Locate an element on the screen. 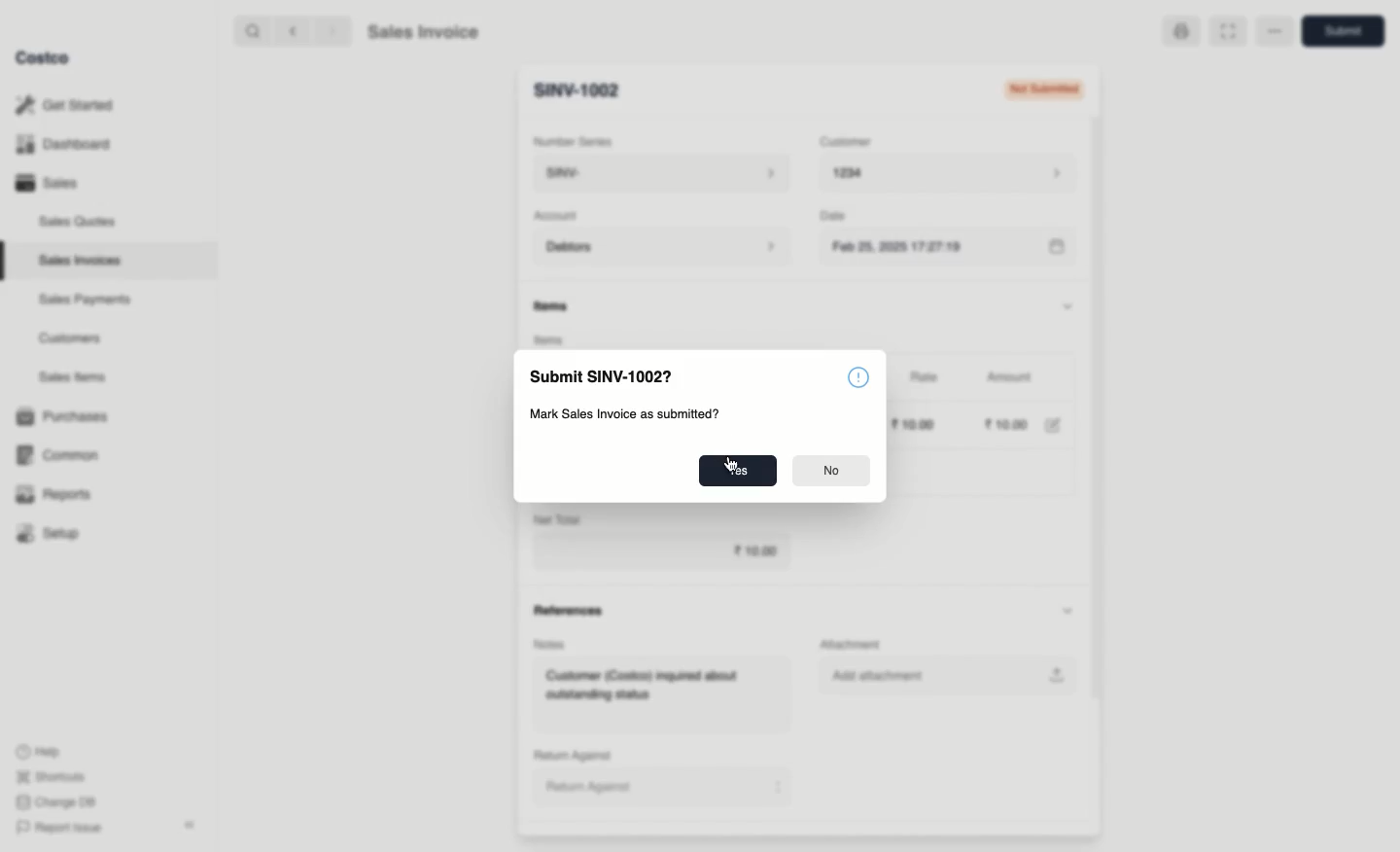 The height and width of the screenshot is (852, 1400). Yes is located at coordinates (736, 472).